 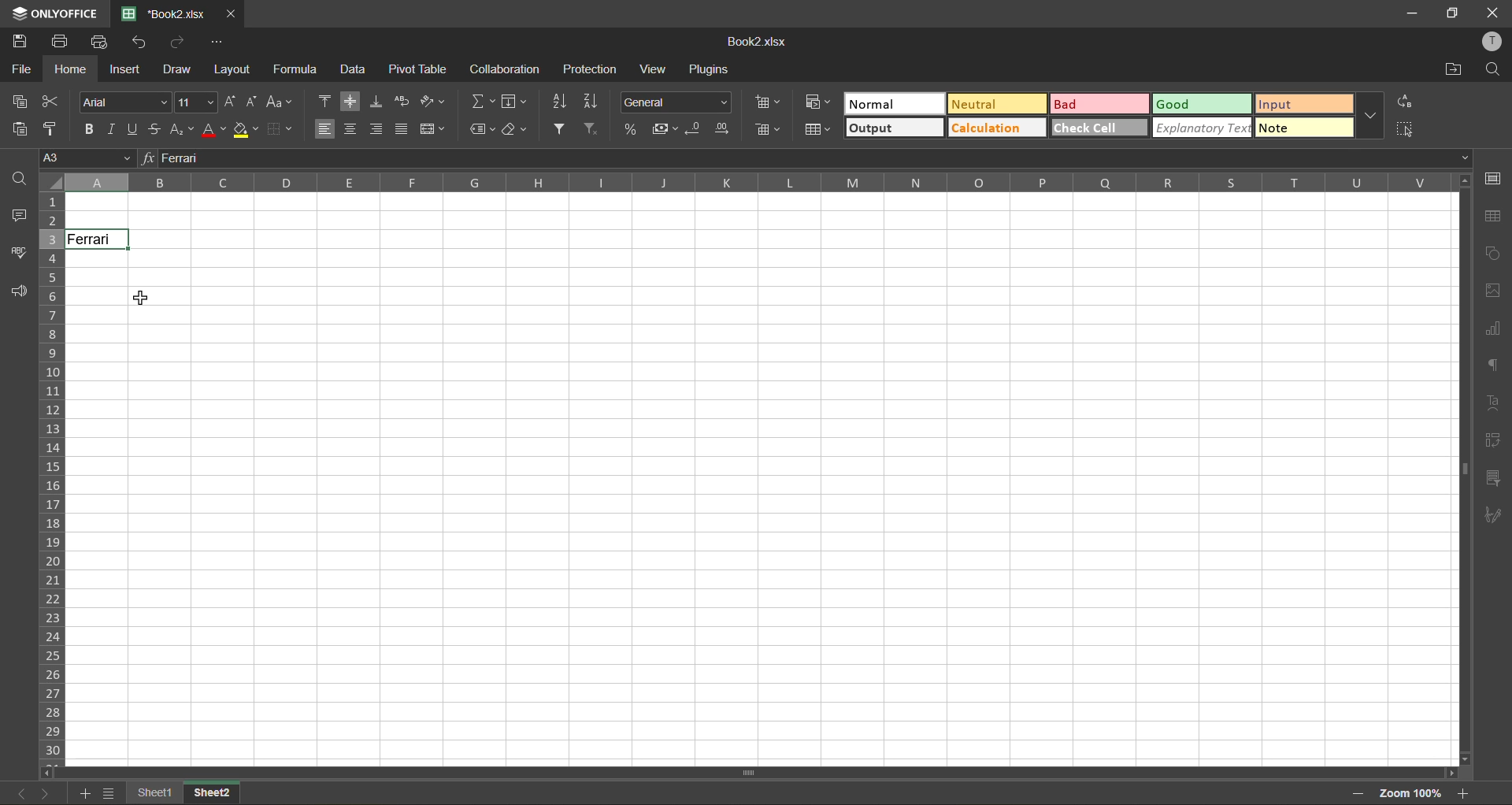 What do you see at coordinates (765, 507) in the screenshot?
I see `Input area` at bounding box center [765, 507].